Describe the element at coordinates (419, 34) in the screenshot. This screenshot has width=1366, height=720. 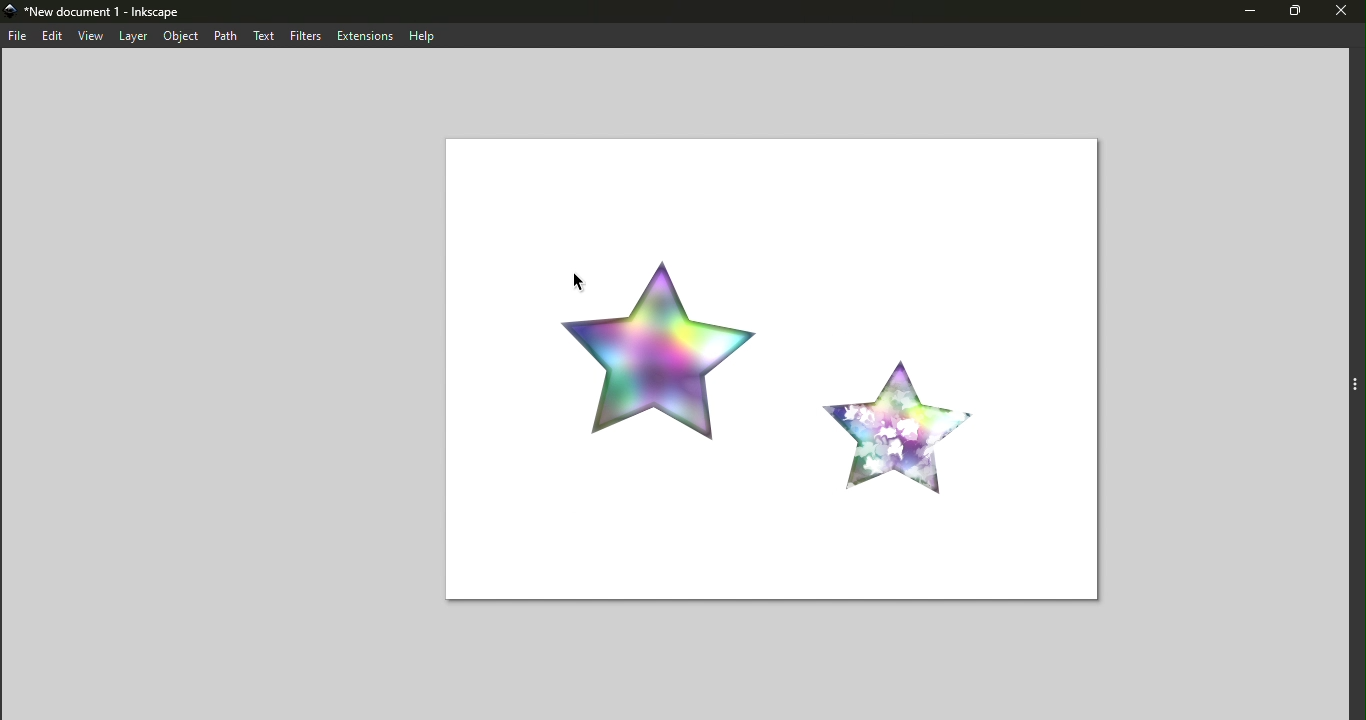
I see `help` at that location.